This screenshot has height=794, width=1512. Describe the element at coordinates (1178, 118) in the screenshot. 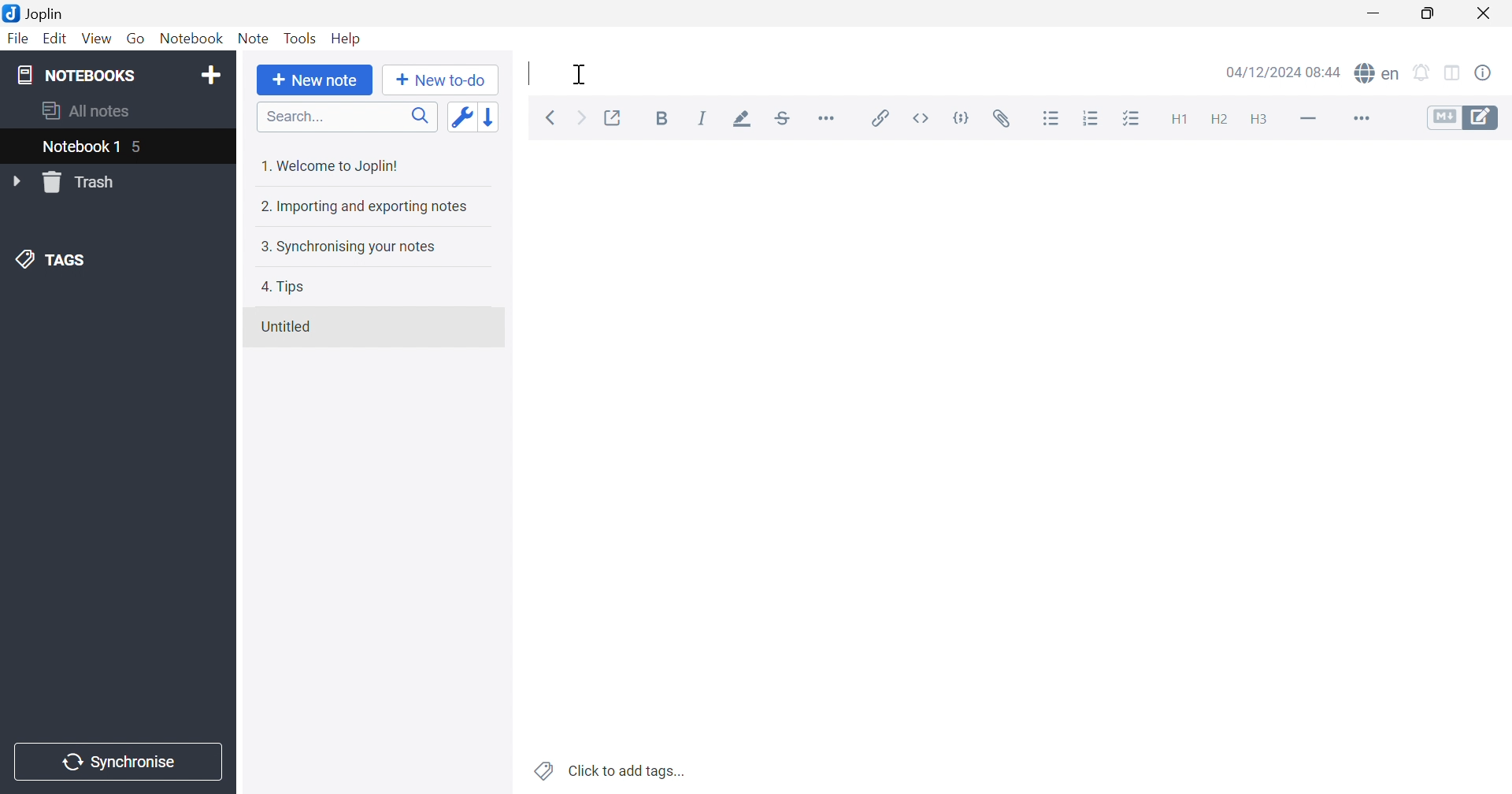

I see `Heading 1` at that location.